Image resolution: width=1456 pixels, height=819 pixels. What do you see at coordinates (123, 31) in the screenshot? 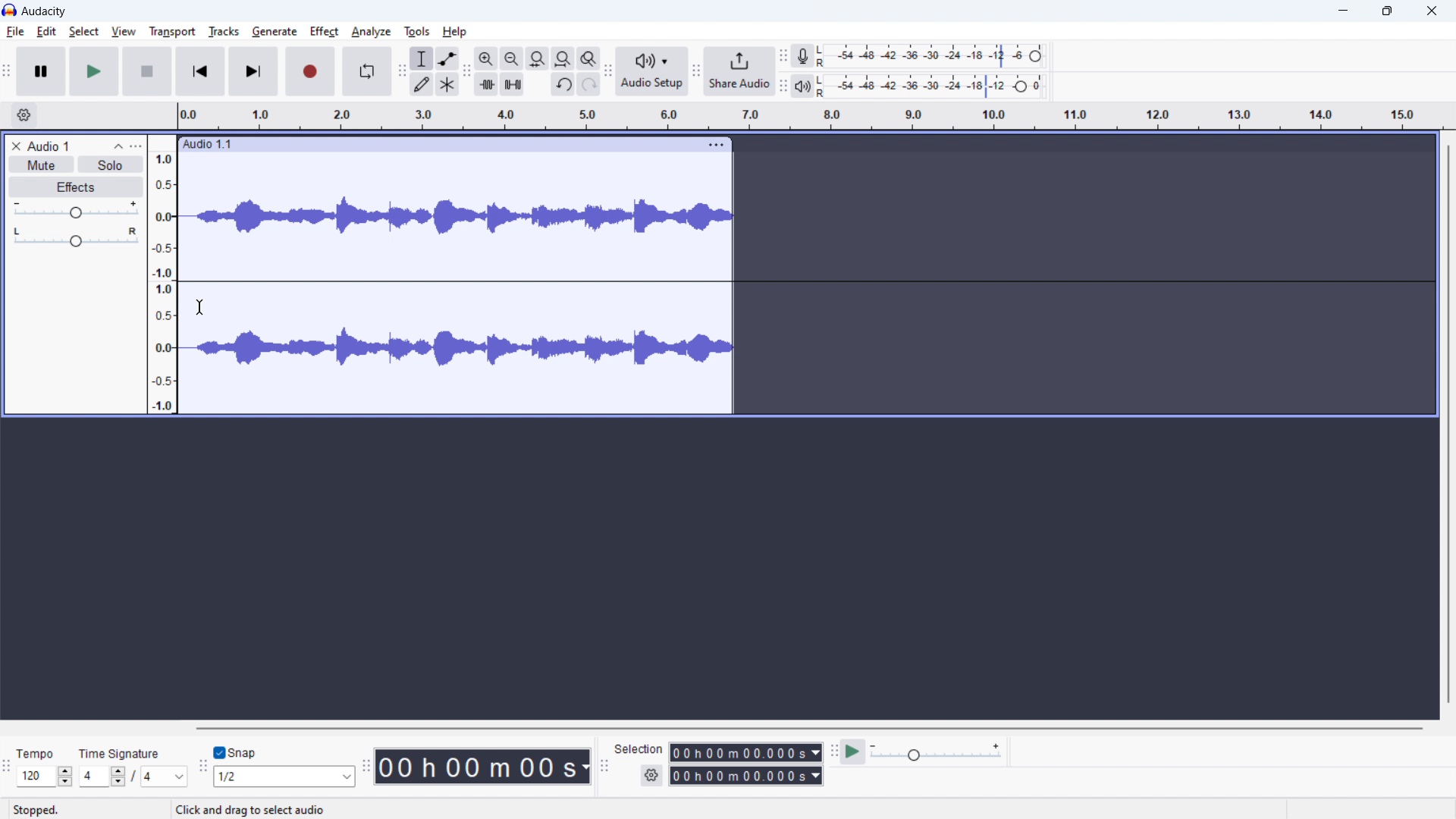
I see `view` at bounding box center [123, 31].